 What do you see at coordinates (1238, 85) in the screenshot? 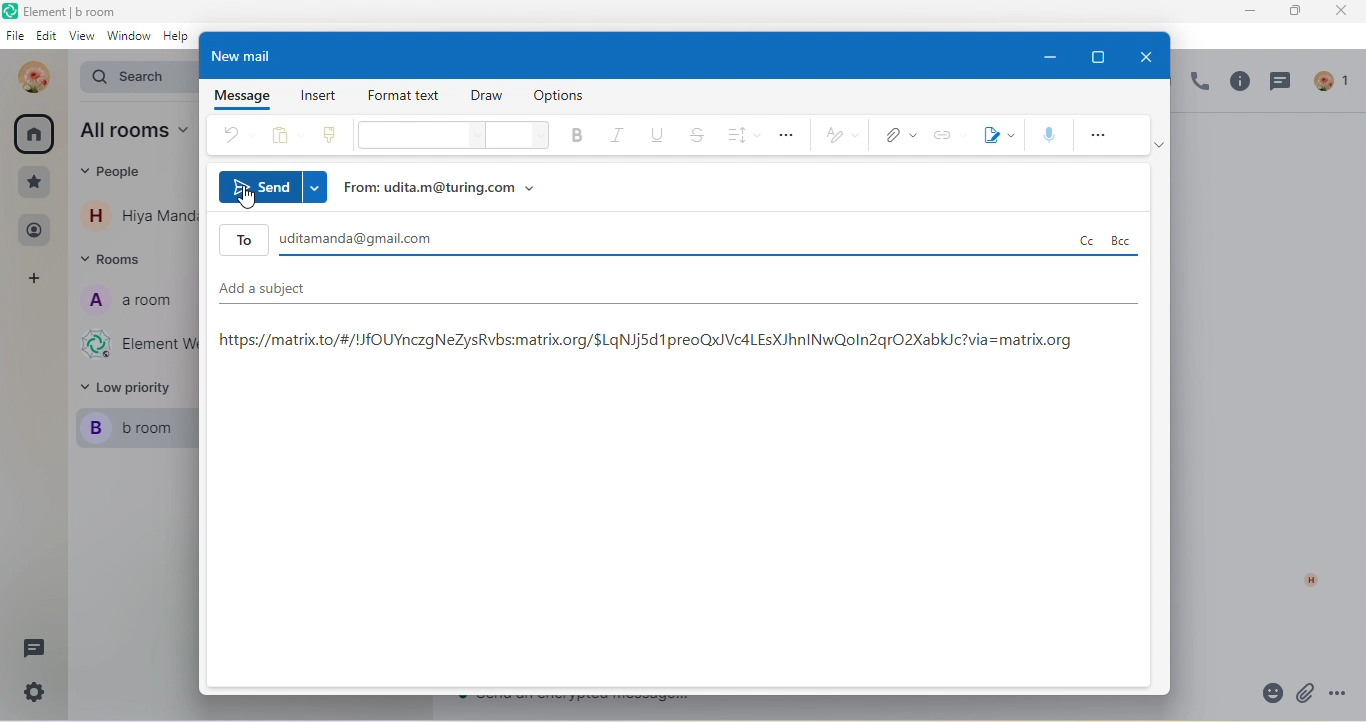
I see `info` at bounding box center [1238, 85].